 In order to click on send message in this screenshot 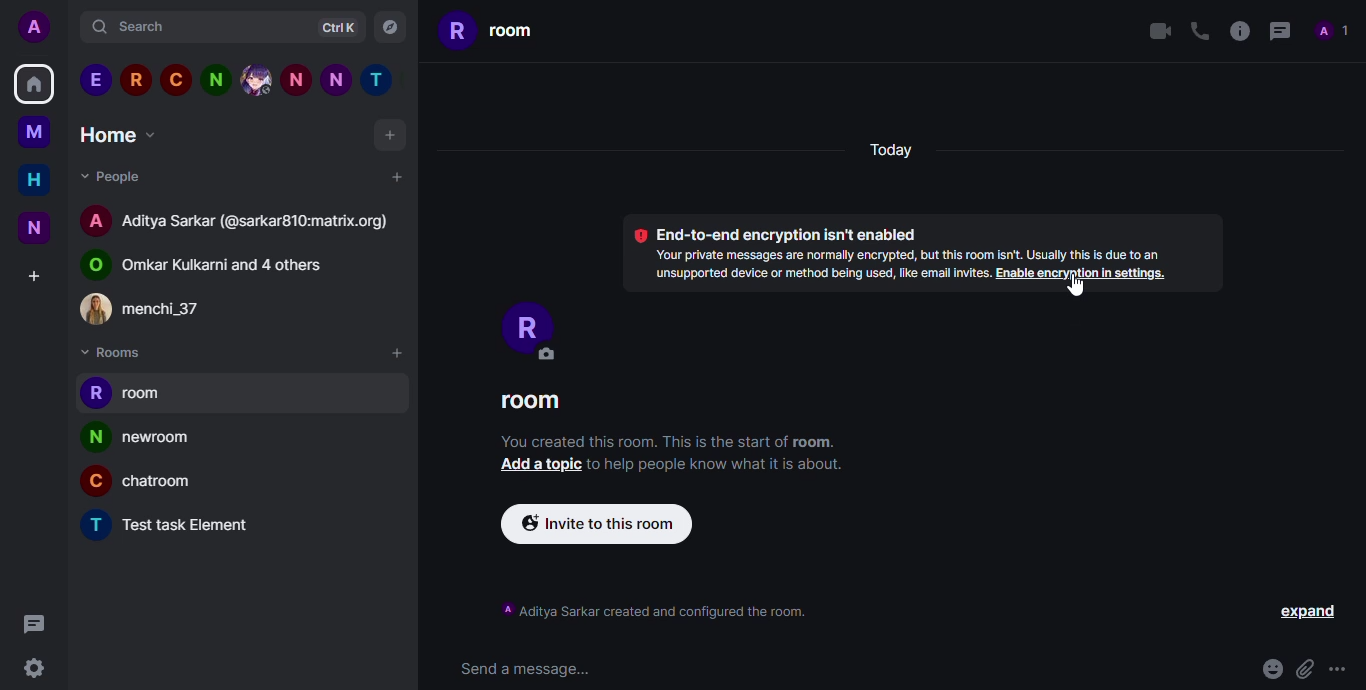, I will do `click(530, 669)`.